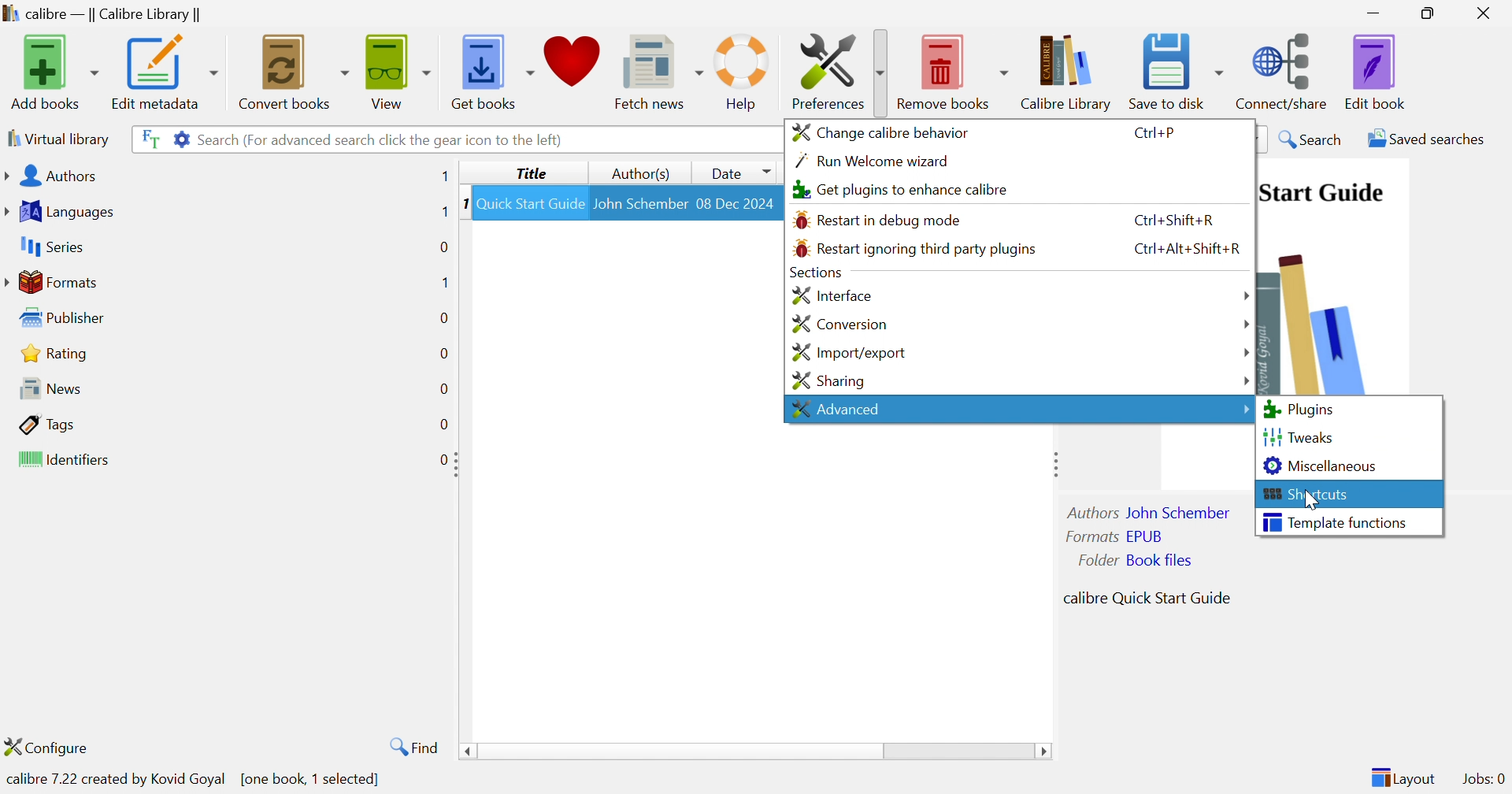 This screenshot has height=794, width=1512. What do you see at coordinates (880, 131) in the screenshot?
I see `Change calibre behaviour` at bounding box center [880, 131].